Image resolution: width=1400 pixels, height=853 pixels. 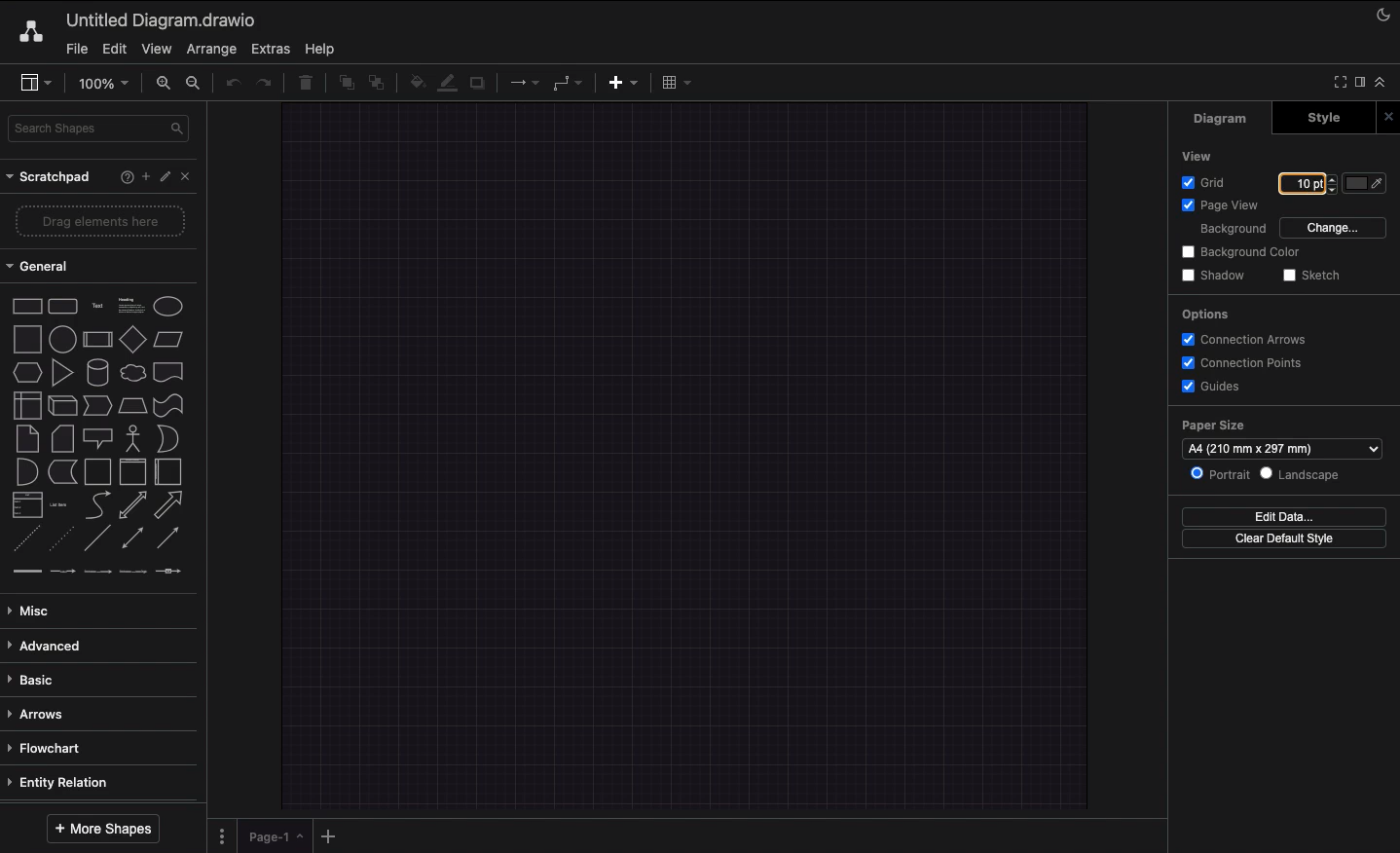 What do you see at coordinates (1212, 275) in the screenshot?
I see `Shadow` at bounding box center [1212, 275].